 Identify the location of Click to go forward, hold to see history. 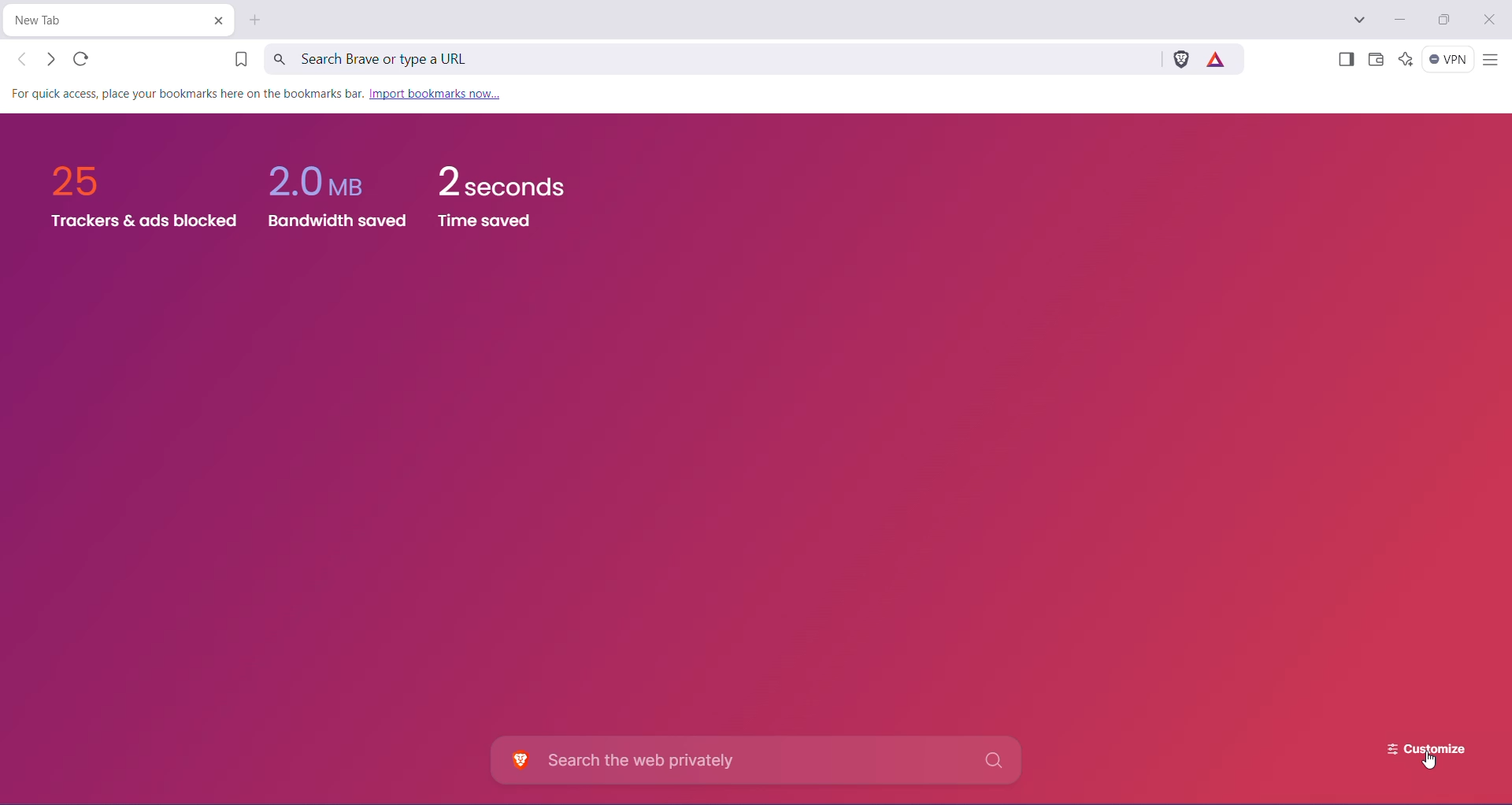
(50, 59).